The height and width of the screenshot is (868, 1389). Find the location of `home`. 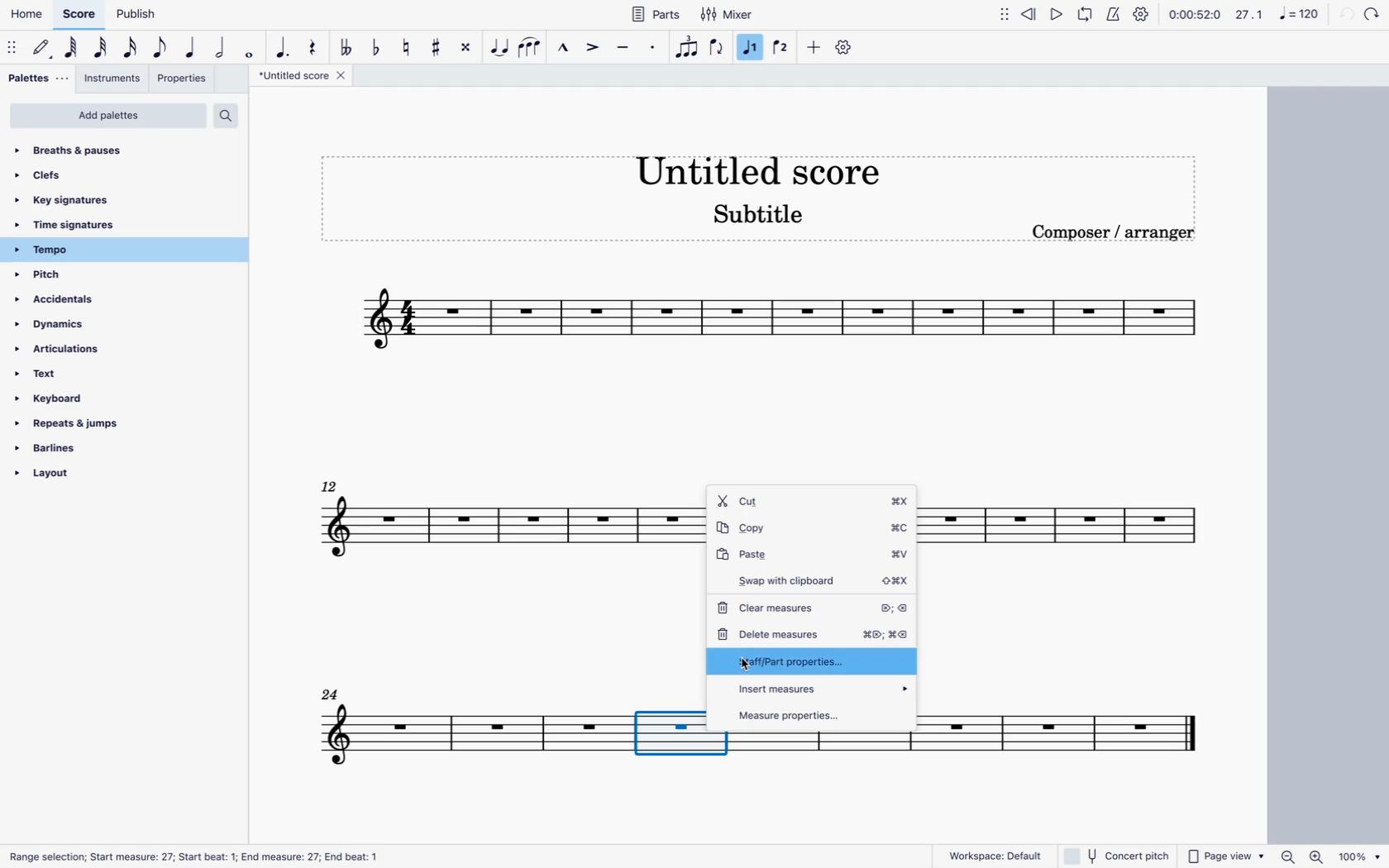

home is located at coordinates (29, 13).